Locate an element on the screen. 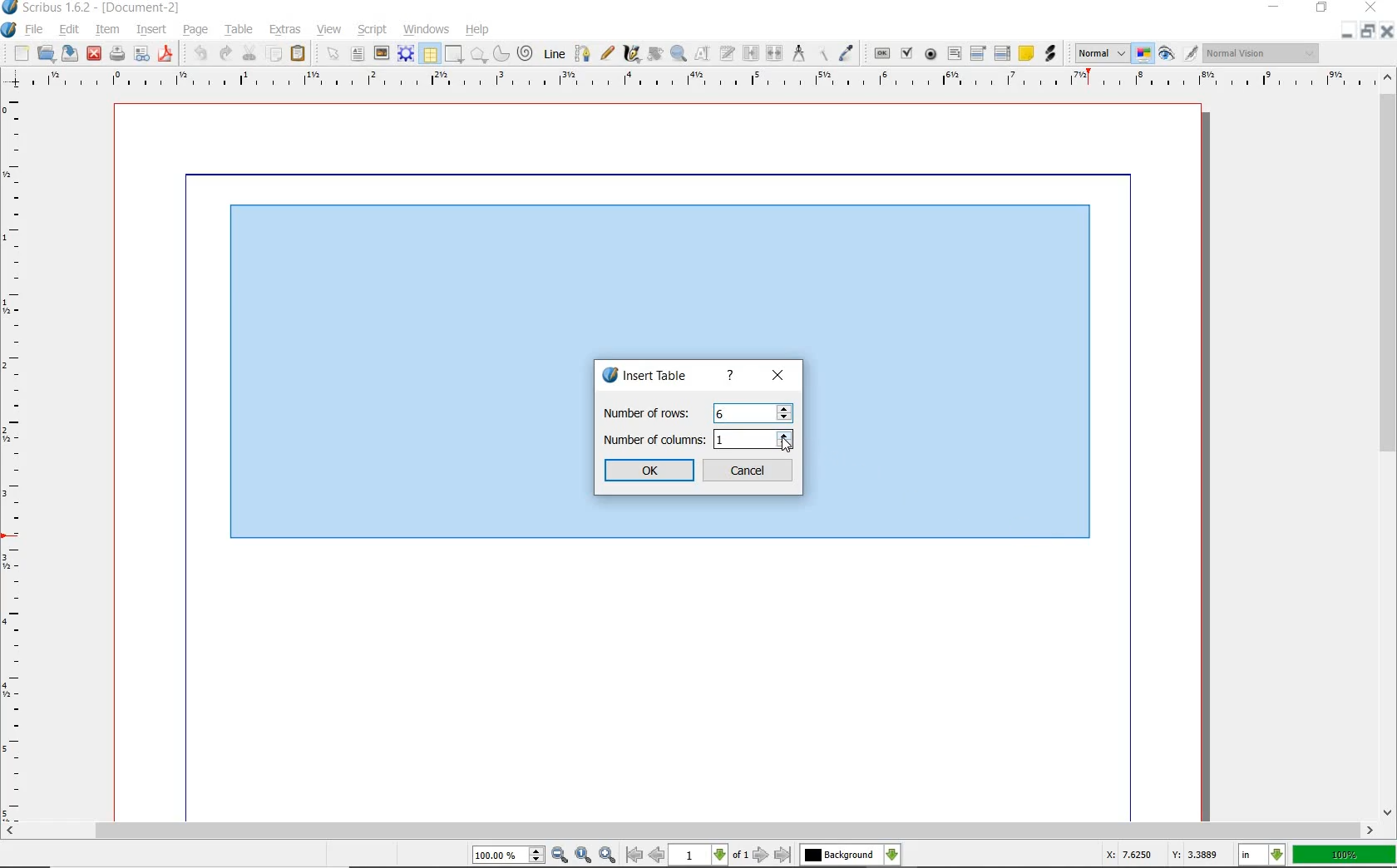 Image resolution: width=1397 pixels, height=868 pixels. toggle color management mode is located at coordinates (1142, 53).